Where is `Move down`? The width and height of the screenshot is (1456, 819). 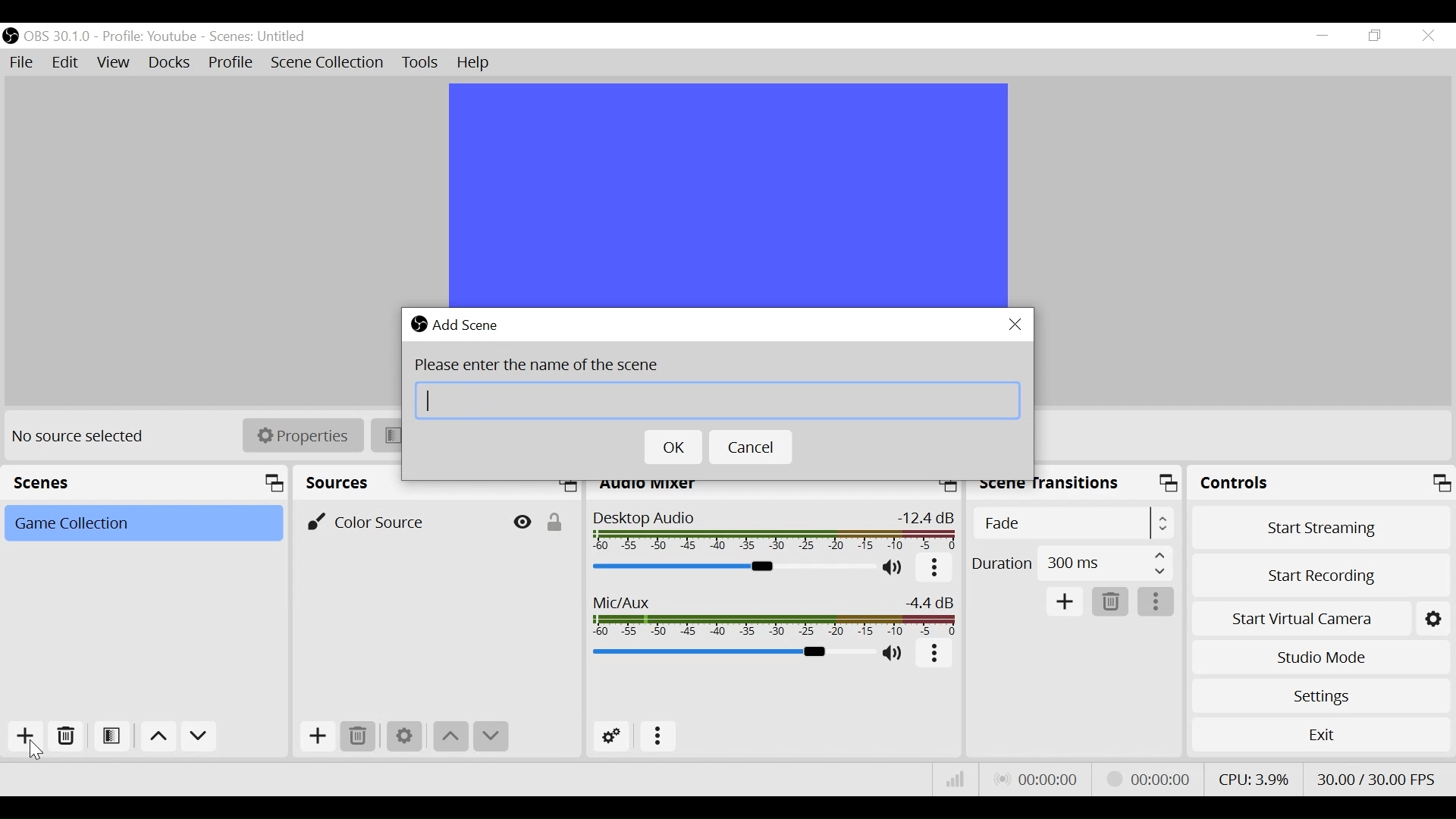 Move down is located at coordinates (198, 736).